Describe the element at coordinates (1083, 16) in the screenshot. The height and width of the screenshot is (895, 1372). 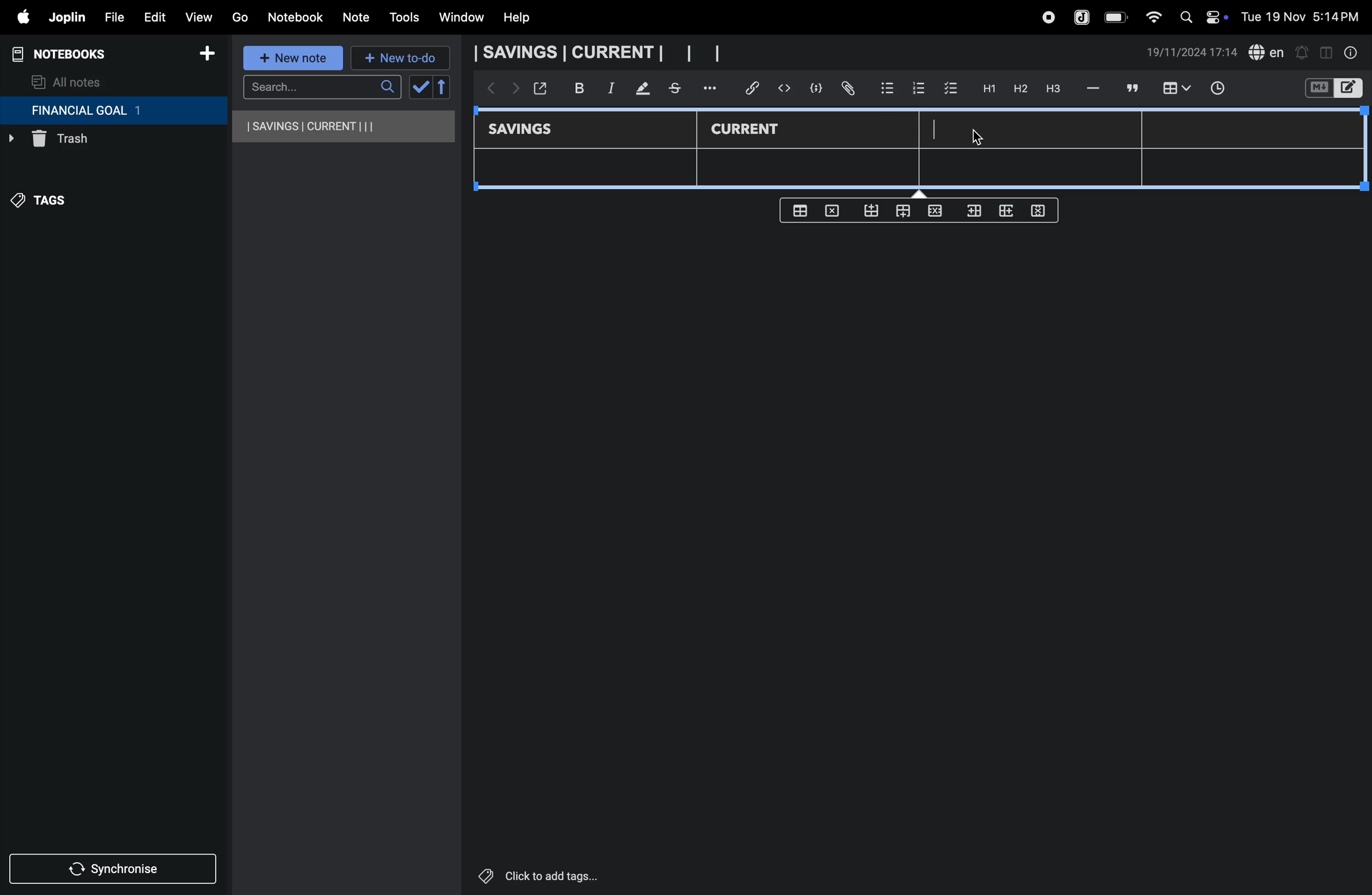
I see `joplin` at that location.